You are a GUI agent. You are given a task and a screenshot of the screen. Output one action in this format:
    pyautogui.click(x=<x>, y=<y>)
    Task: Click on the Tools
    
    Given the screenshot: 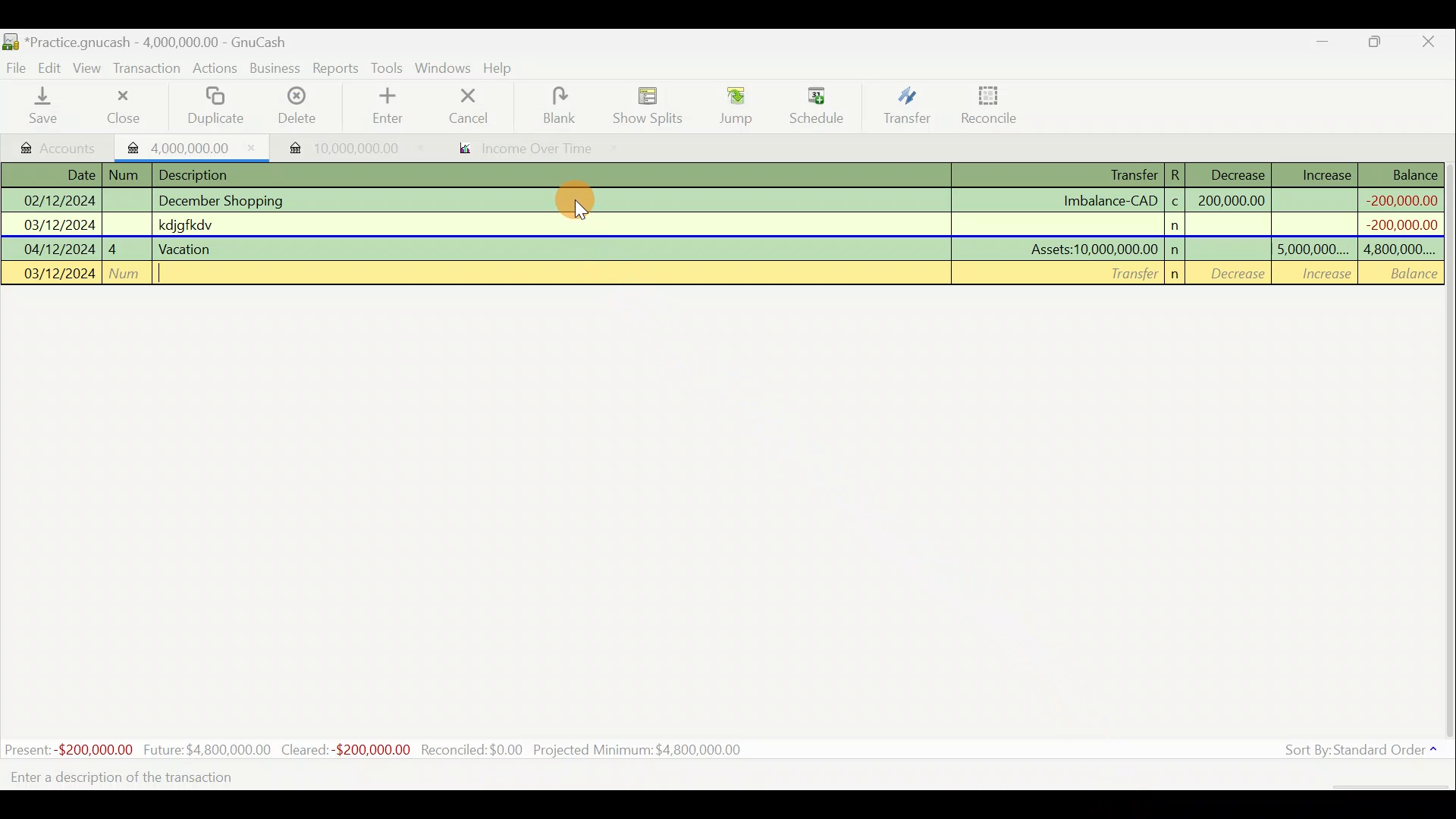 What is the action you would take?
    pyautogui.click(x=389, y=68)
    